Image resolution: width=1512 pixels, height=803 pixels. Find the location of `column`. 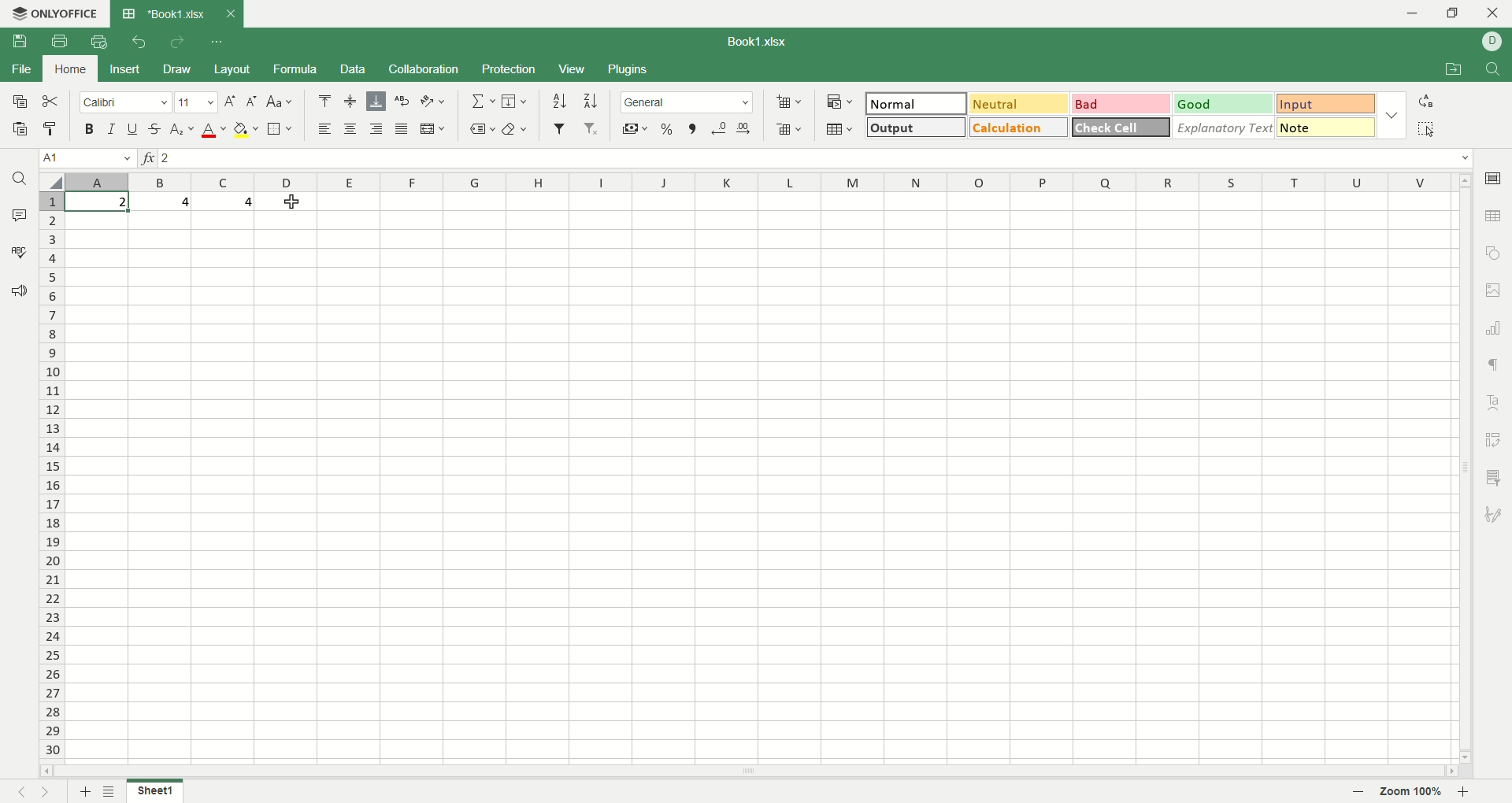

column is located at coordinates (763, 182).